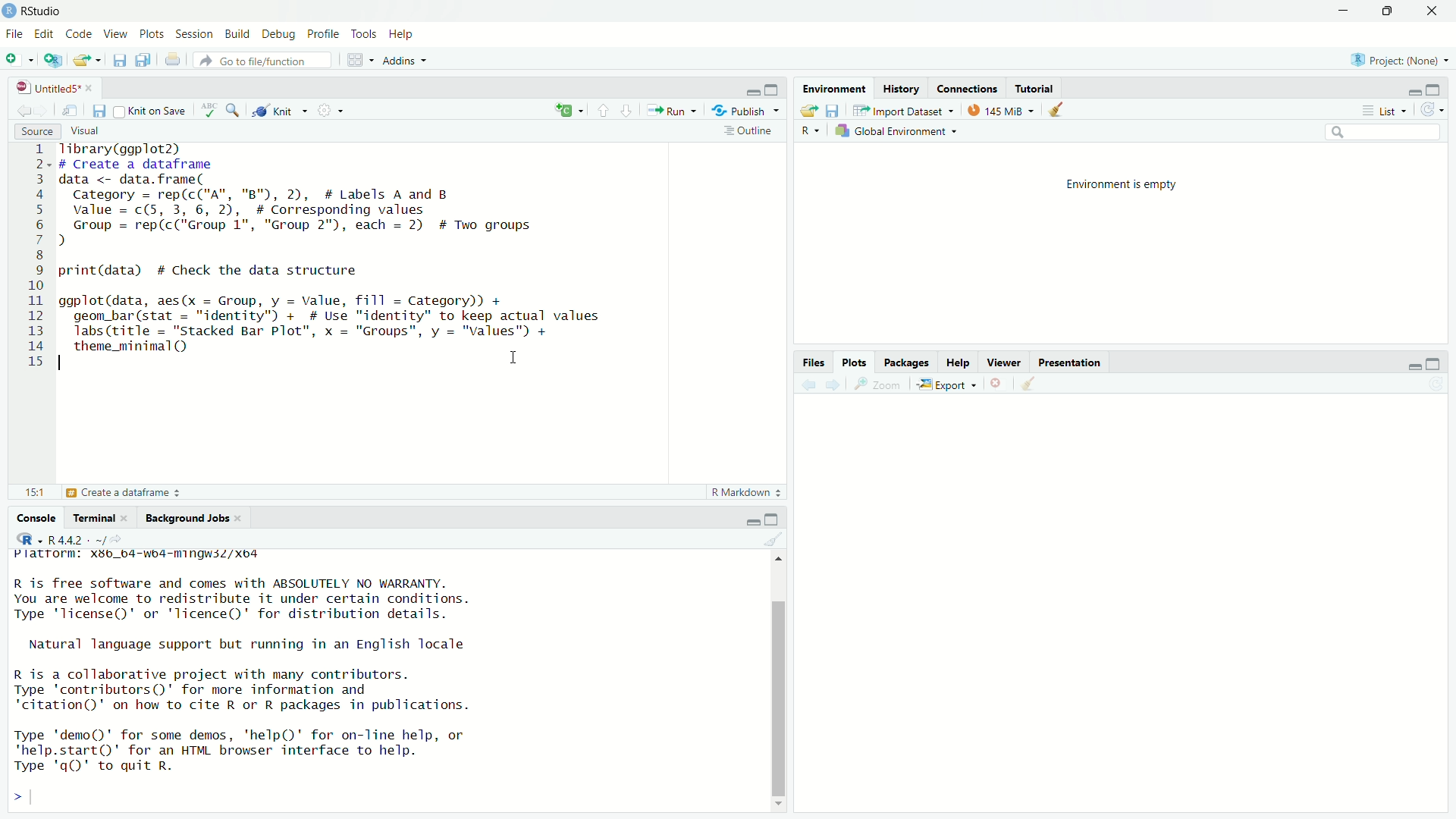 The width and height of the screenshot is (1456, 819). I want to click on Zoom, so click(880, 384).